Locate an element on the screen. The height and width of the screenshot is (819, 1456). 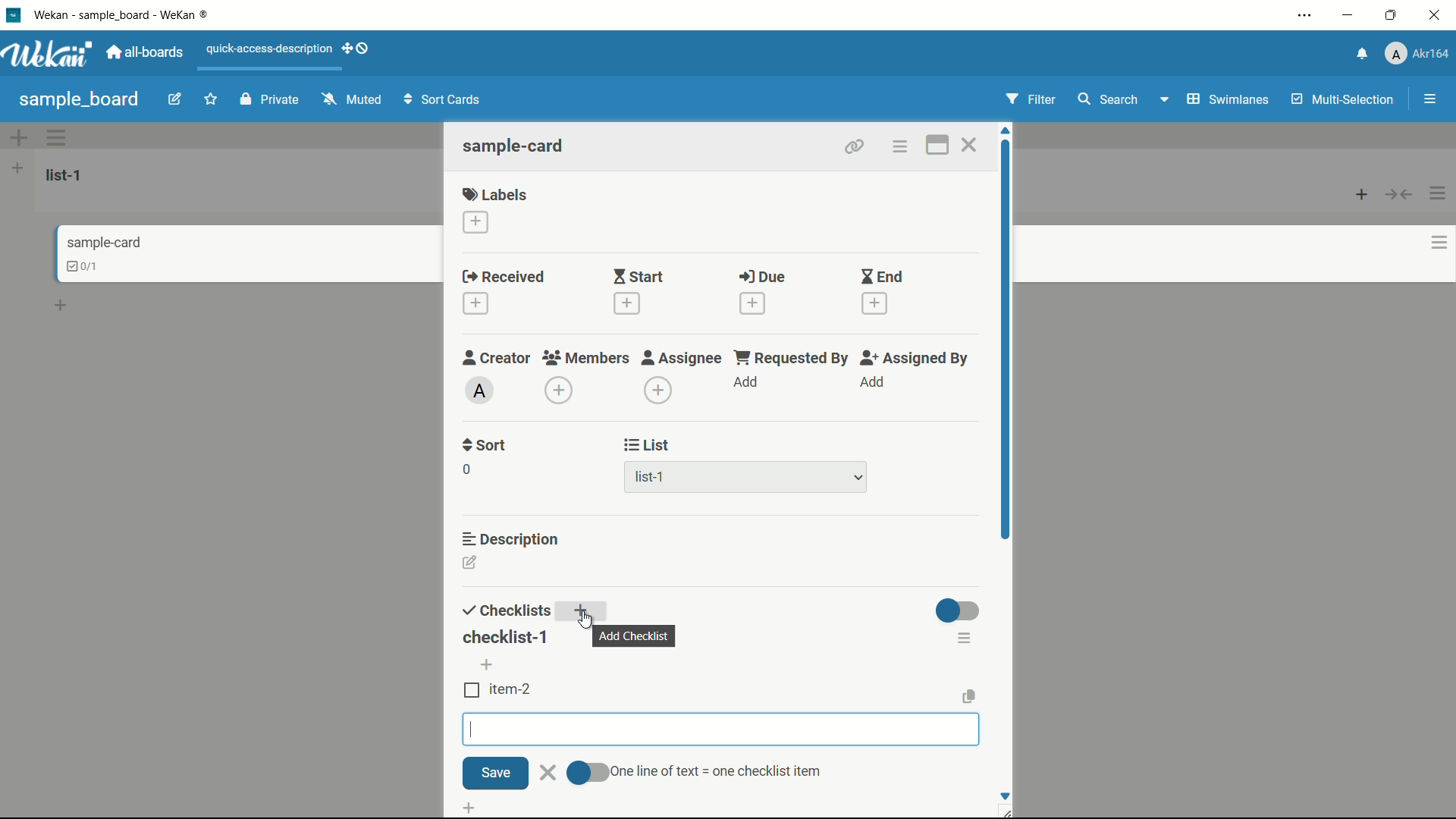
requested by is located at coordinates (792, 357).